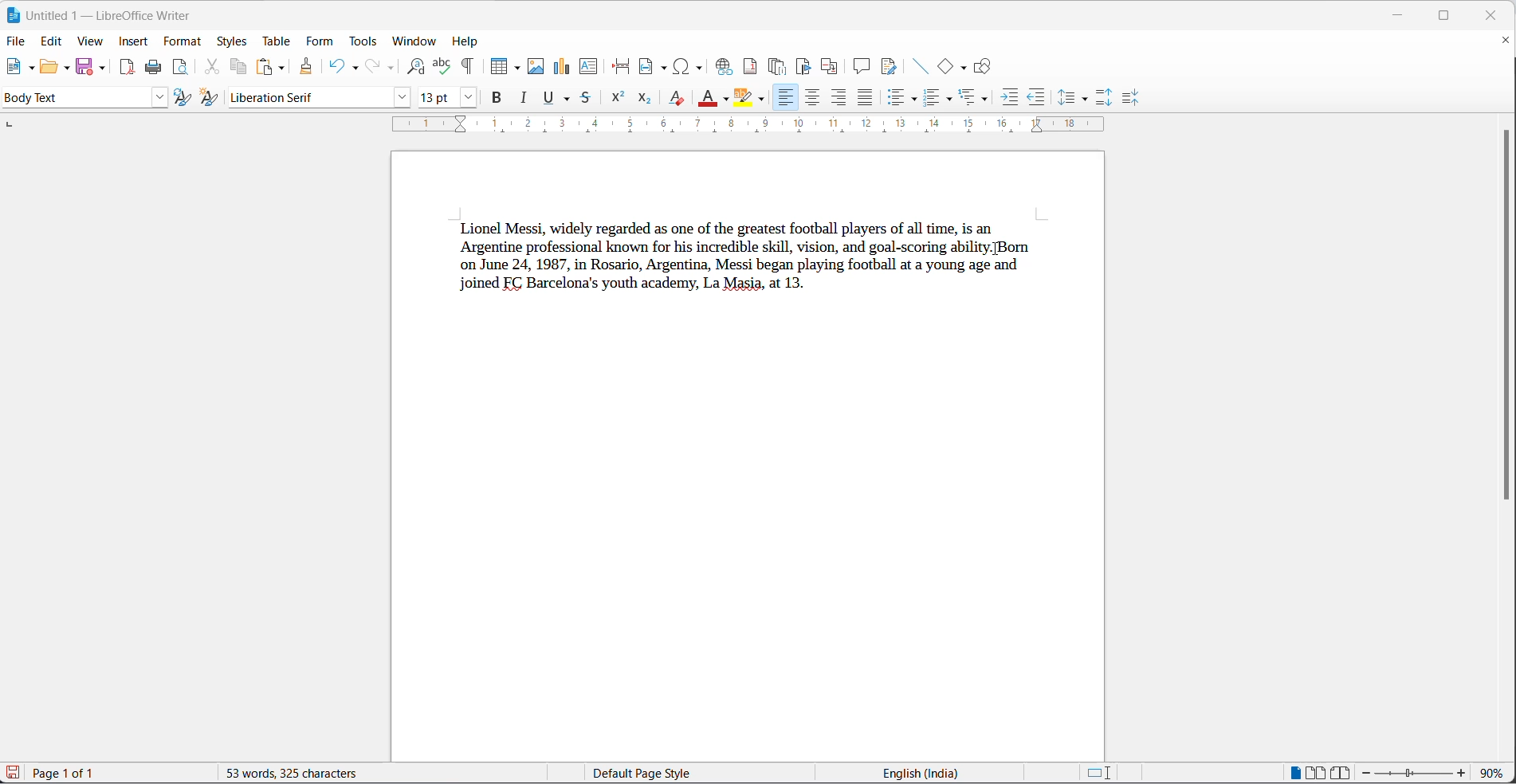 This screenshot has width=1516, height=784. I want to click on close, so click(1490, 16).